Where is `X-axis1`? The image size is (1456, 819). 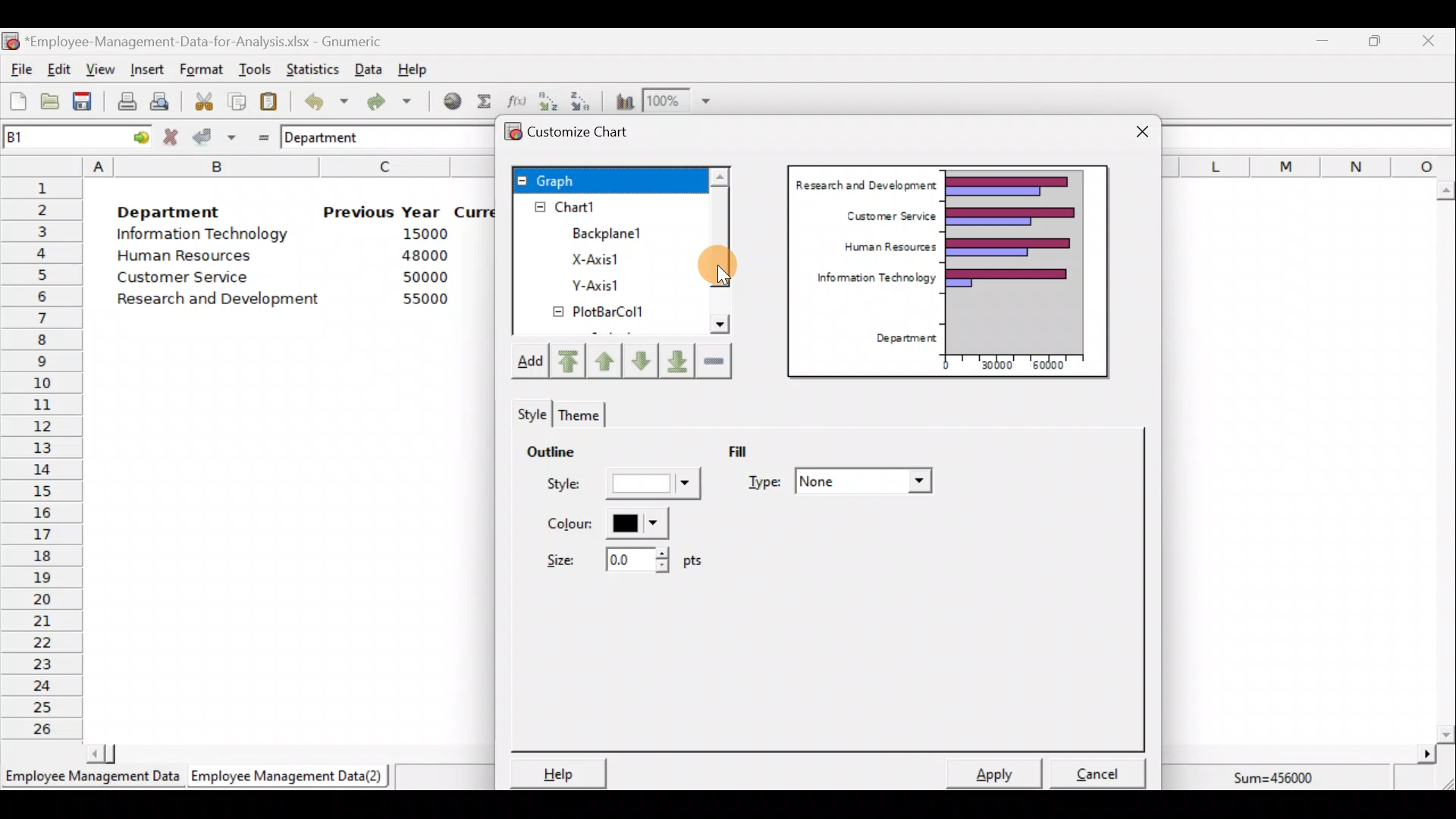 X-axis1 is located at coordinates (602, 259).